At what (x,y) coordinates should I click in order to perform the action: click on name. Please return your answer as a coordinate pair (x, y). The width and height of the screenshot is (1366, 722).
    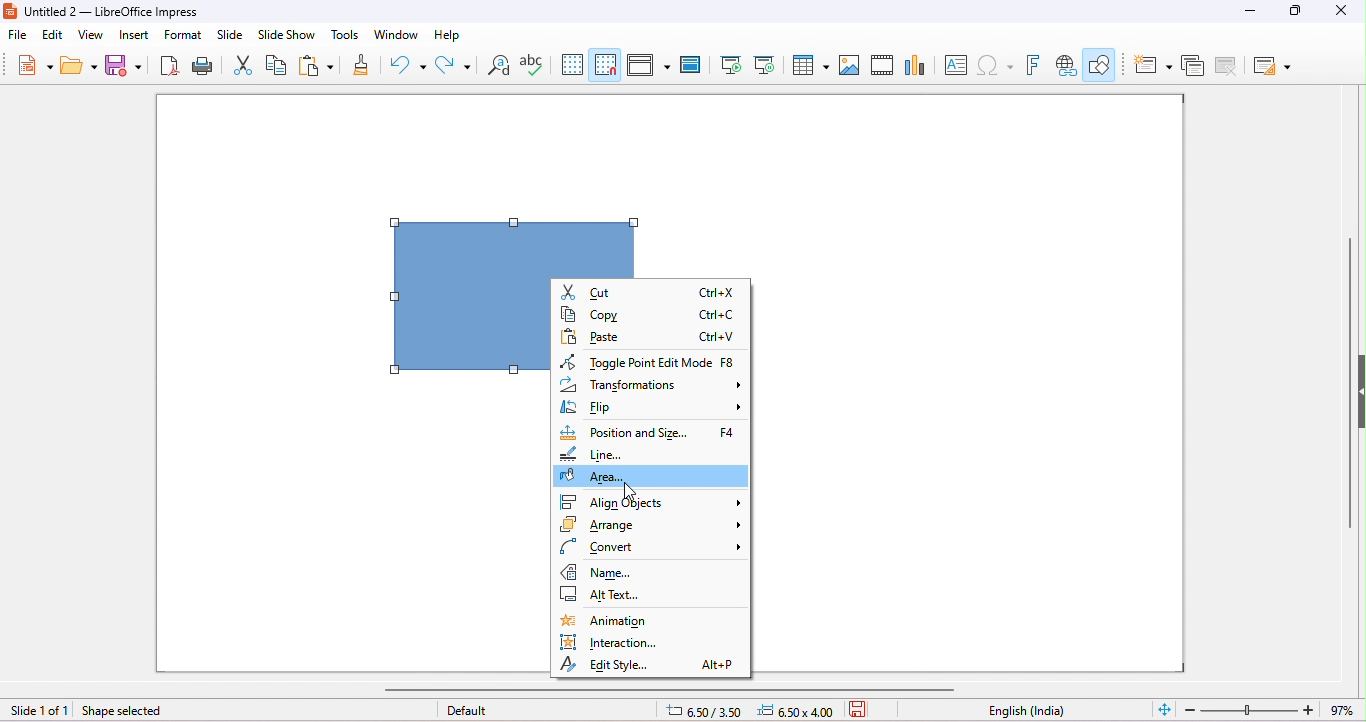
    Looking at the image, I should click on (653, 573).